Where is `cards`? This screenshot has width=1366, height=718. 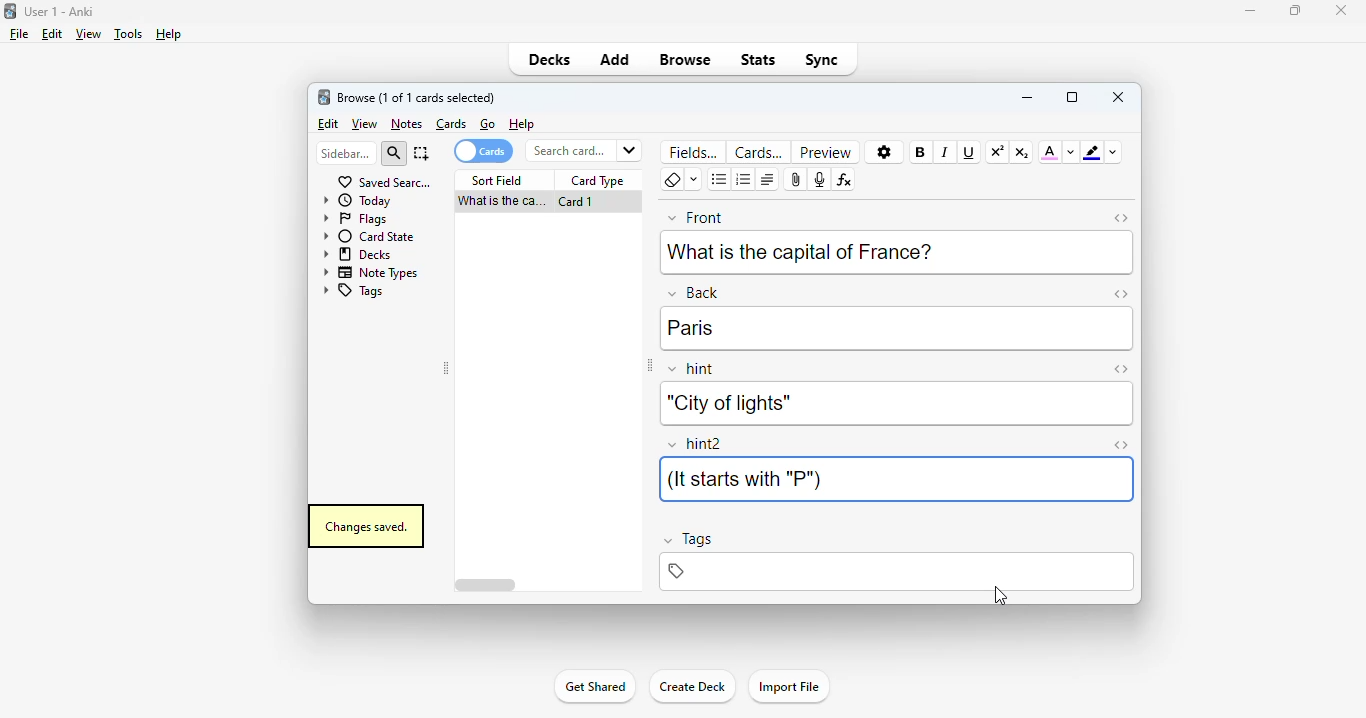 cards is located at coordinates (452, 124).